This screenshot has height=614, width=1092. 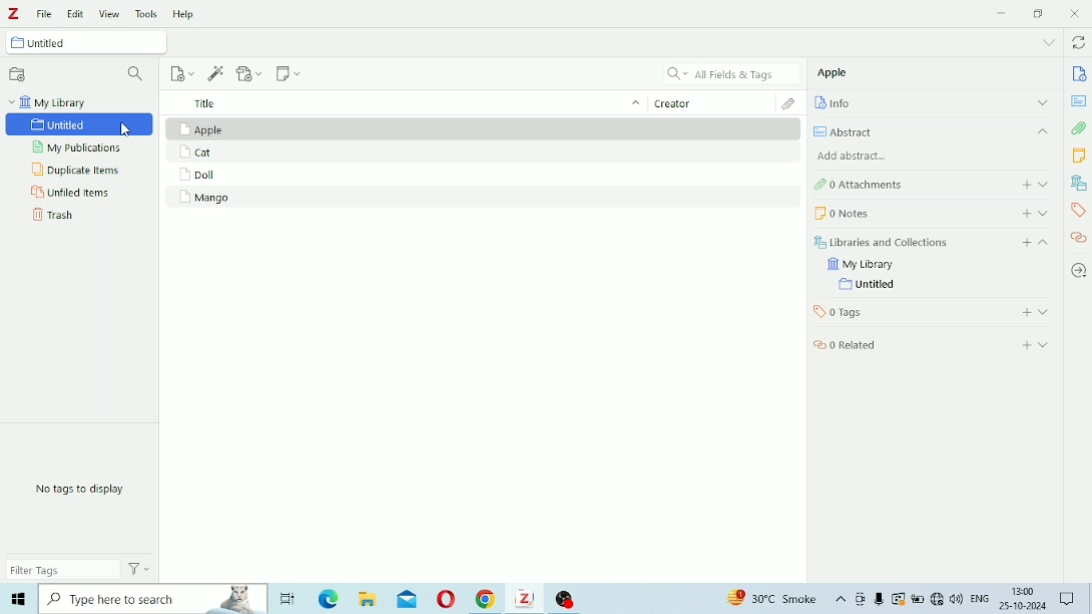 What do you see at coordinates (183, 72) in the screenshot?
I see `New Item` at bounding box center [183, 72].